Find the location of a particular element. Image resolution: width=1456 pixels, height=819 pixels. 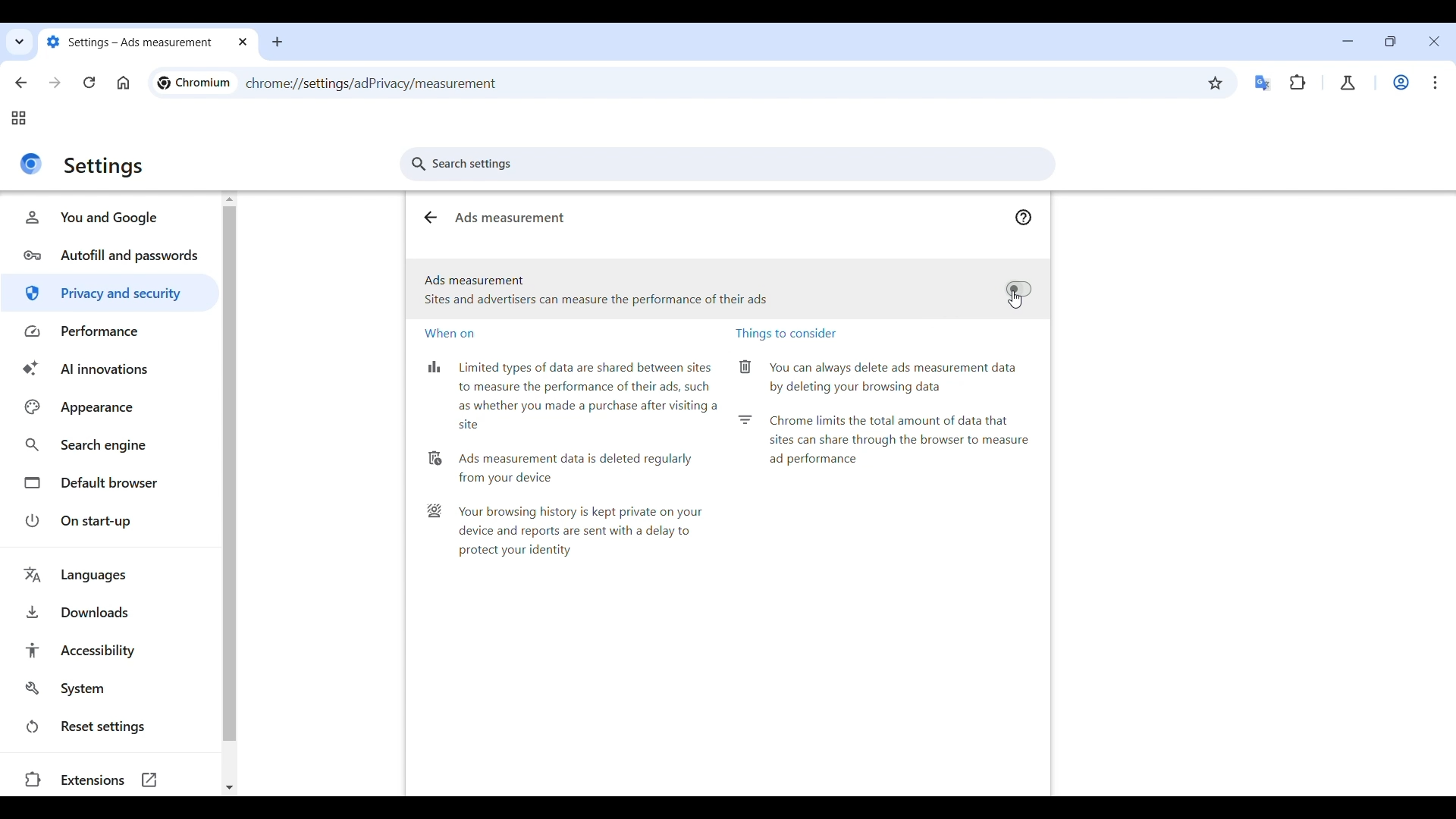

Go to homepage is located at coordinates (124, 83).